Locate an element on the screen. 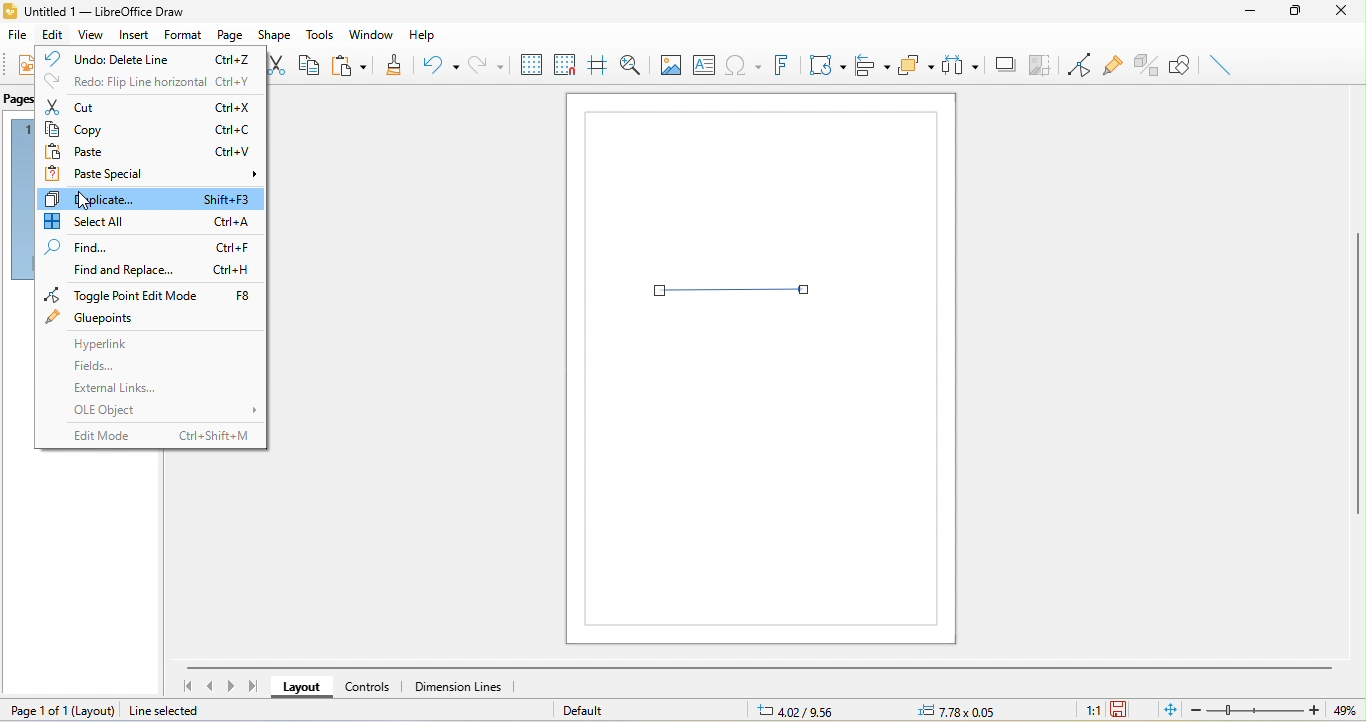 The width and height of the screenshot is (1366, 722). 7.26/9.58 is located at coordinates (808, 711).